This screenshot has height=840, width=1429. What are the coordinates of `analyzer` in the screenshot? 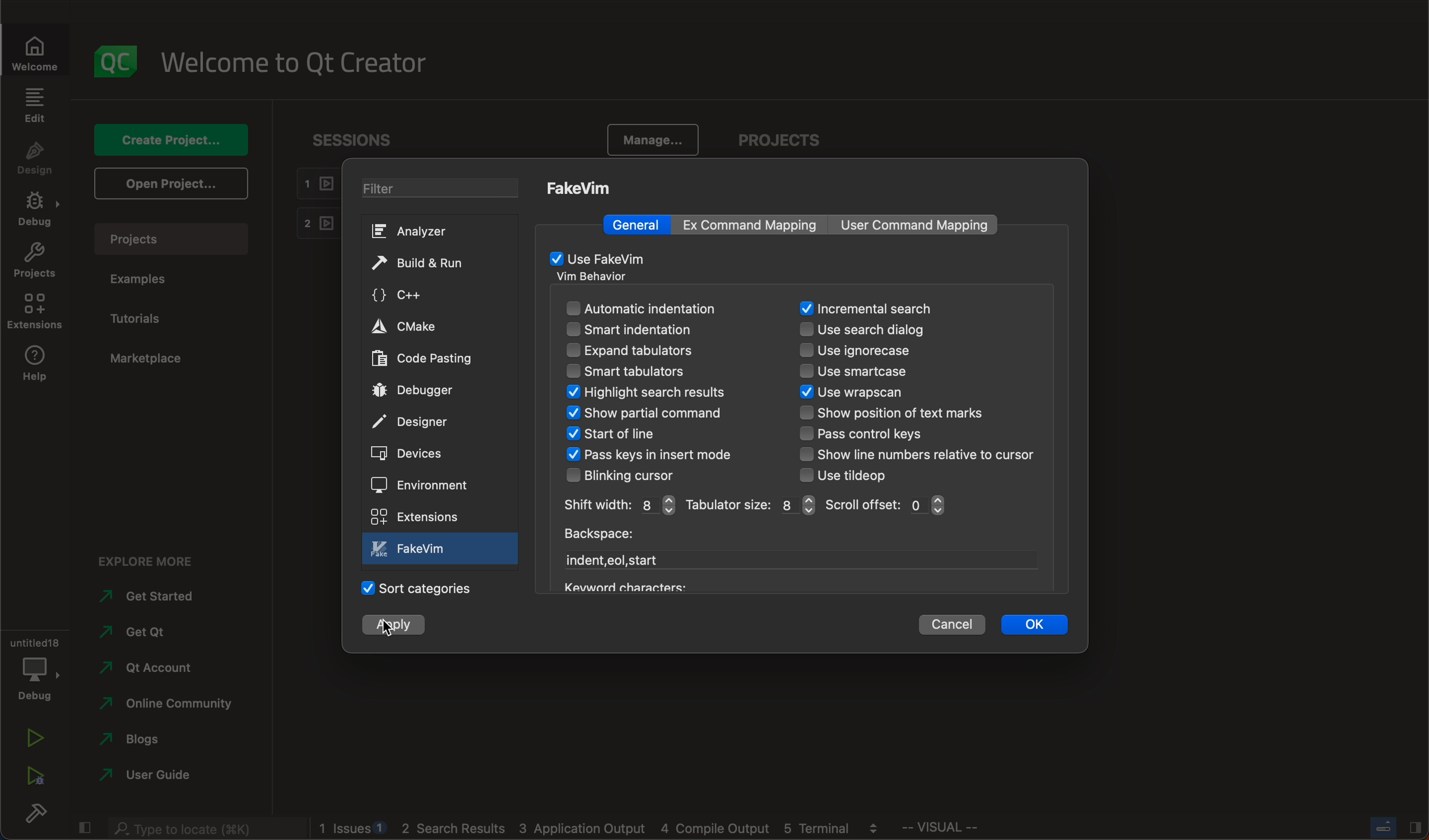 It's located at (424, 232).